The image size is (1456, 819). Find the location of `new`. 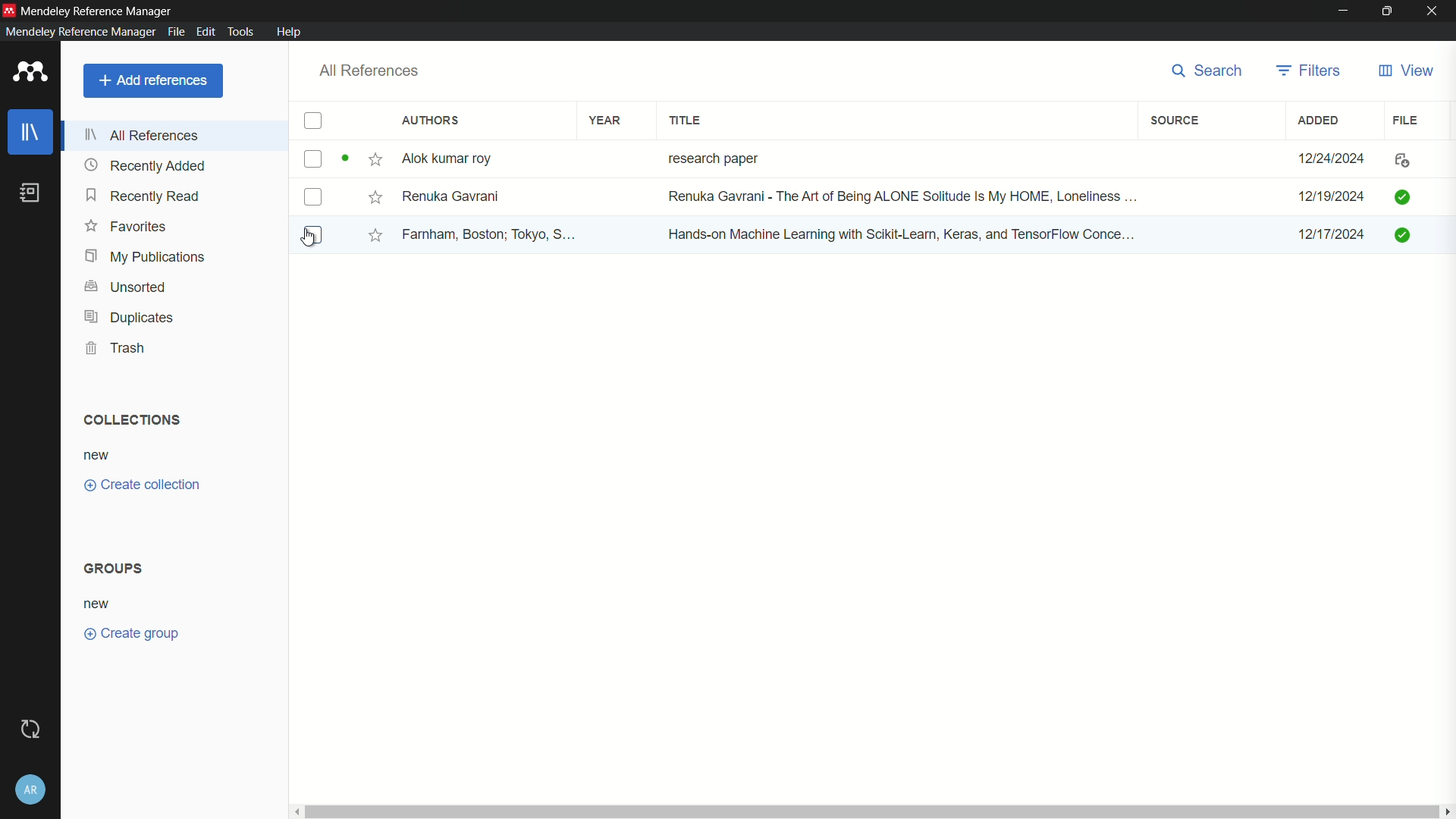

new is located at coordinates (99, 457).